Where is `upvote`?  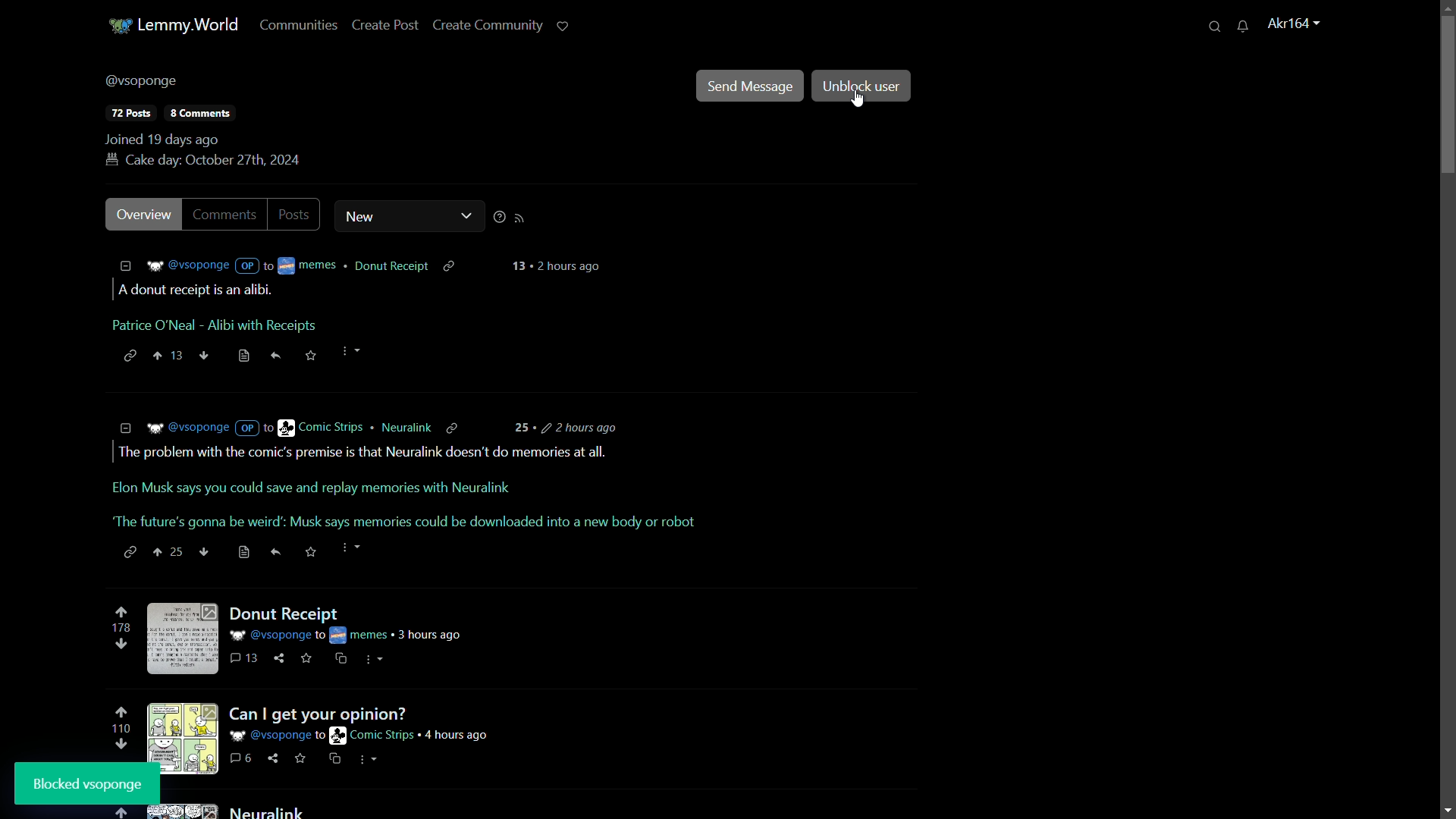
upvote is located at coordinates (122, 813).